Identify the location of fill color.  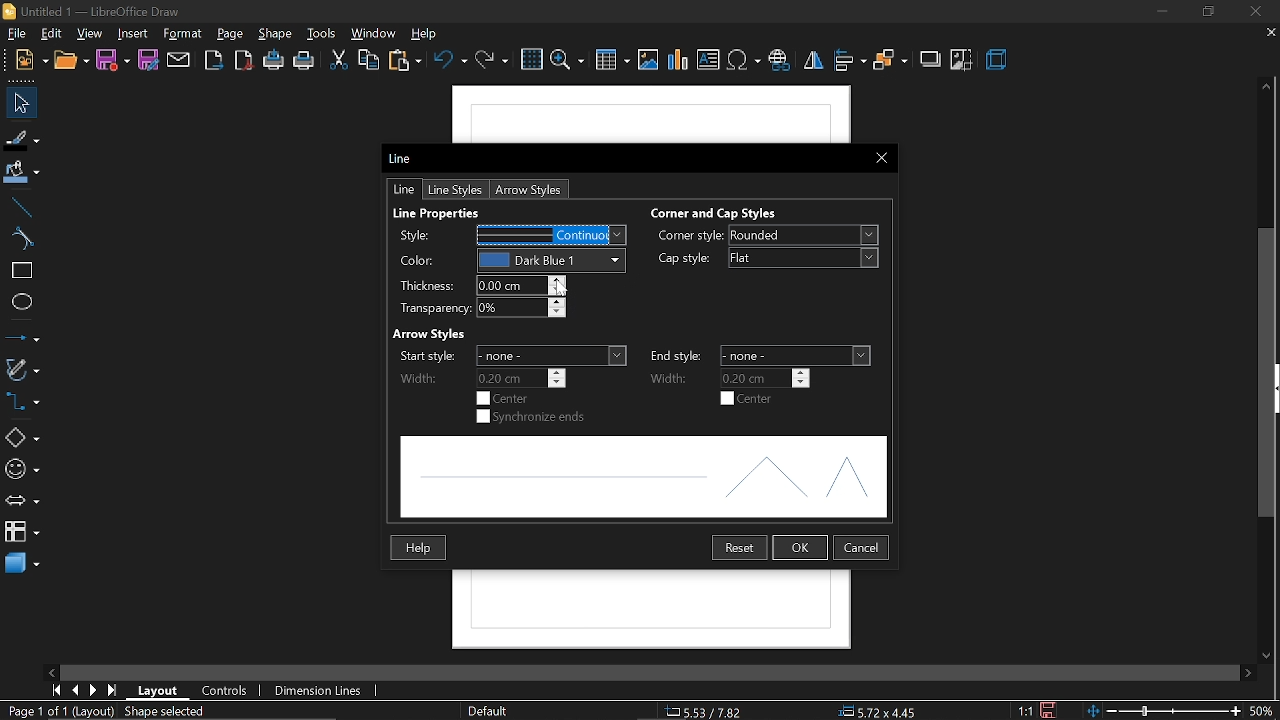
(21, 174).